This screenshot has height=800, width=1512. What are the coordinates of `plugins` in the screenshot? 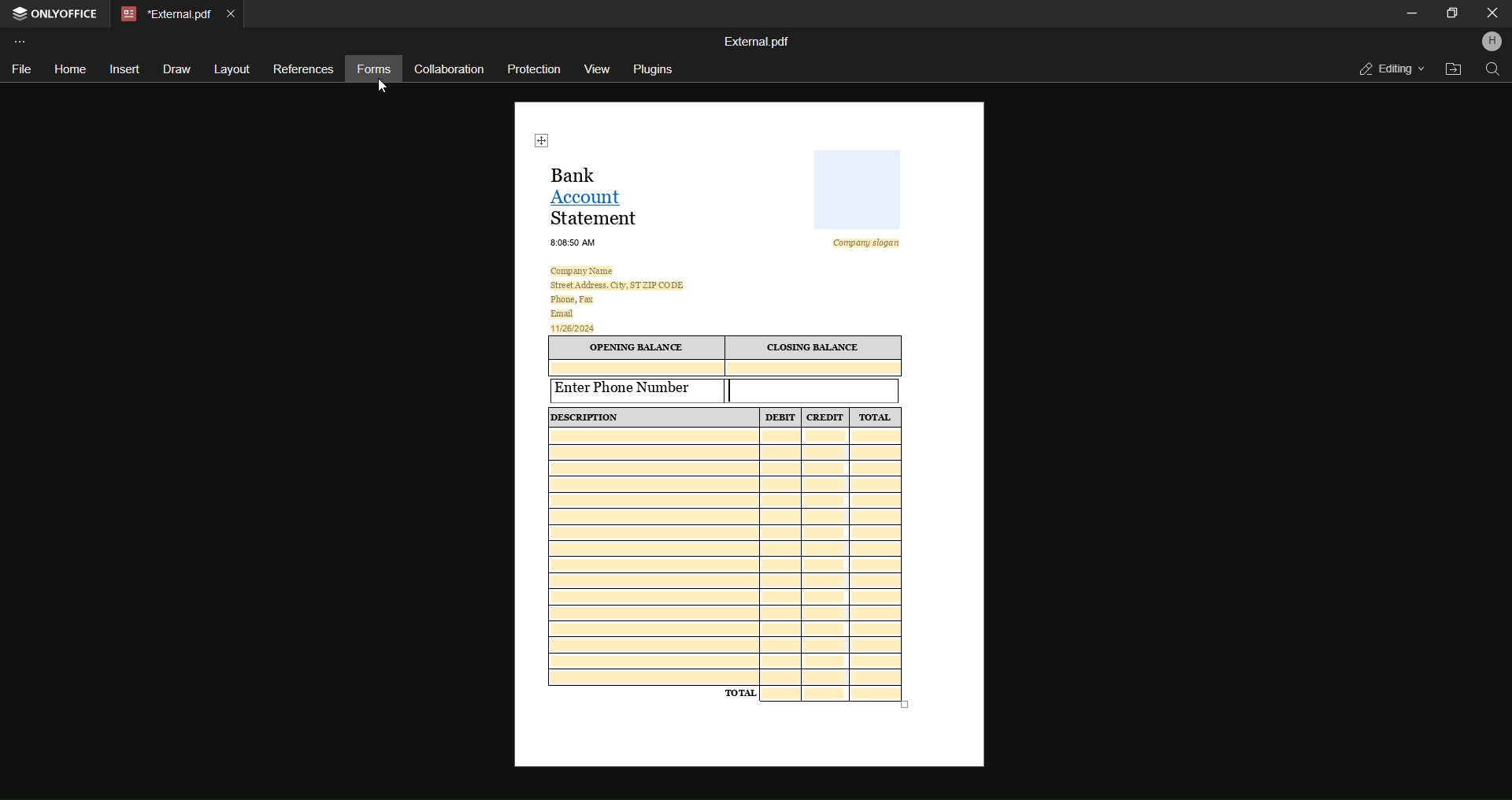 It's located at (654, 70).